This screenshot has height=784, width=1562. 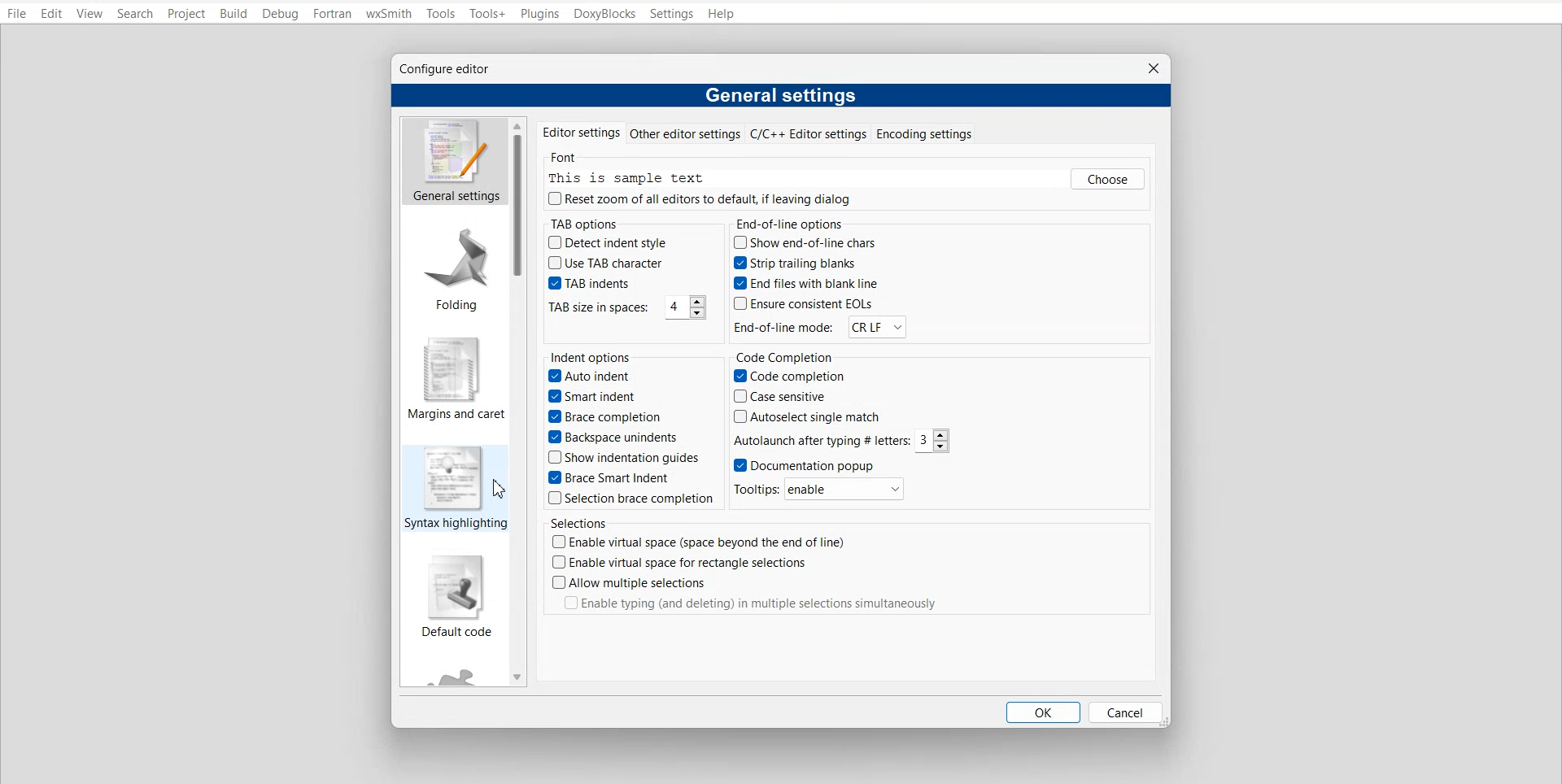 What do you see at coordinates (791, 376) in the screenshot?
I see `Code completion` at bounding box center [791, 376].